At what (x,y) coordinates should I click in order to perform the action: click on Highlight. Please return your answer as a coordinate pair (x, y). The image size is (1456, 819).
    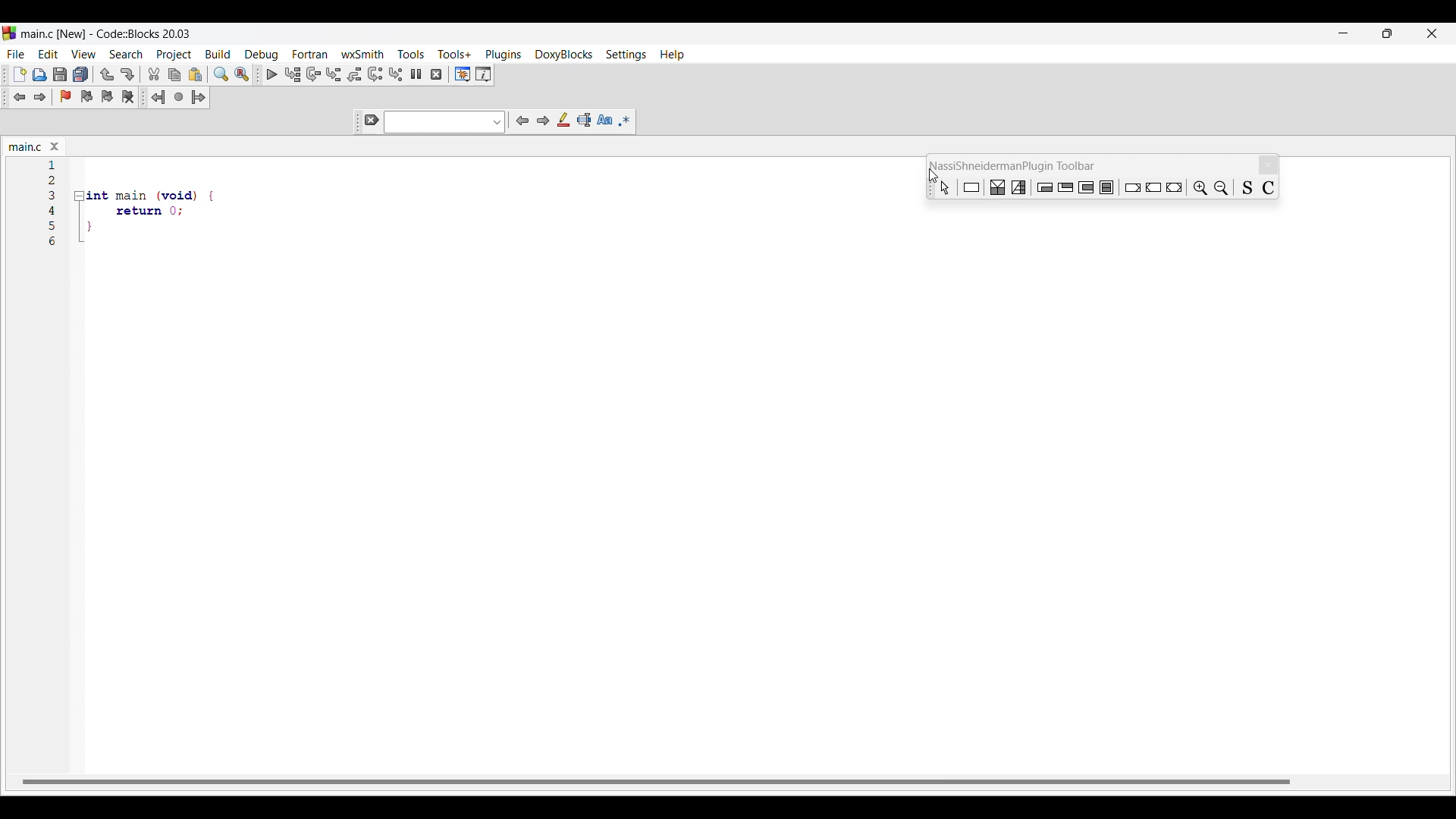
    Looking at the image, I should click on (563, 120).